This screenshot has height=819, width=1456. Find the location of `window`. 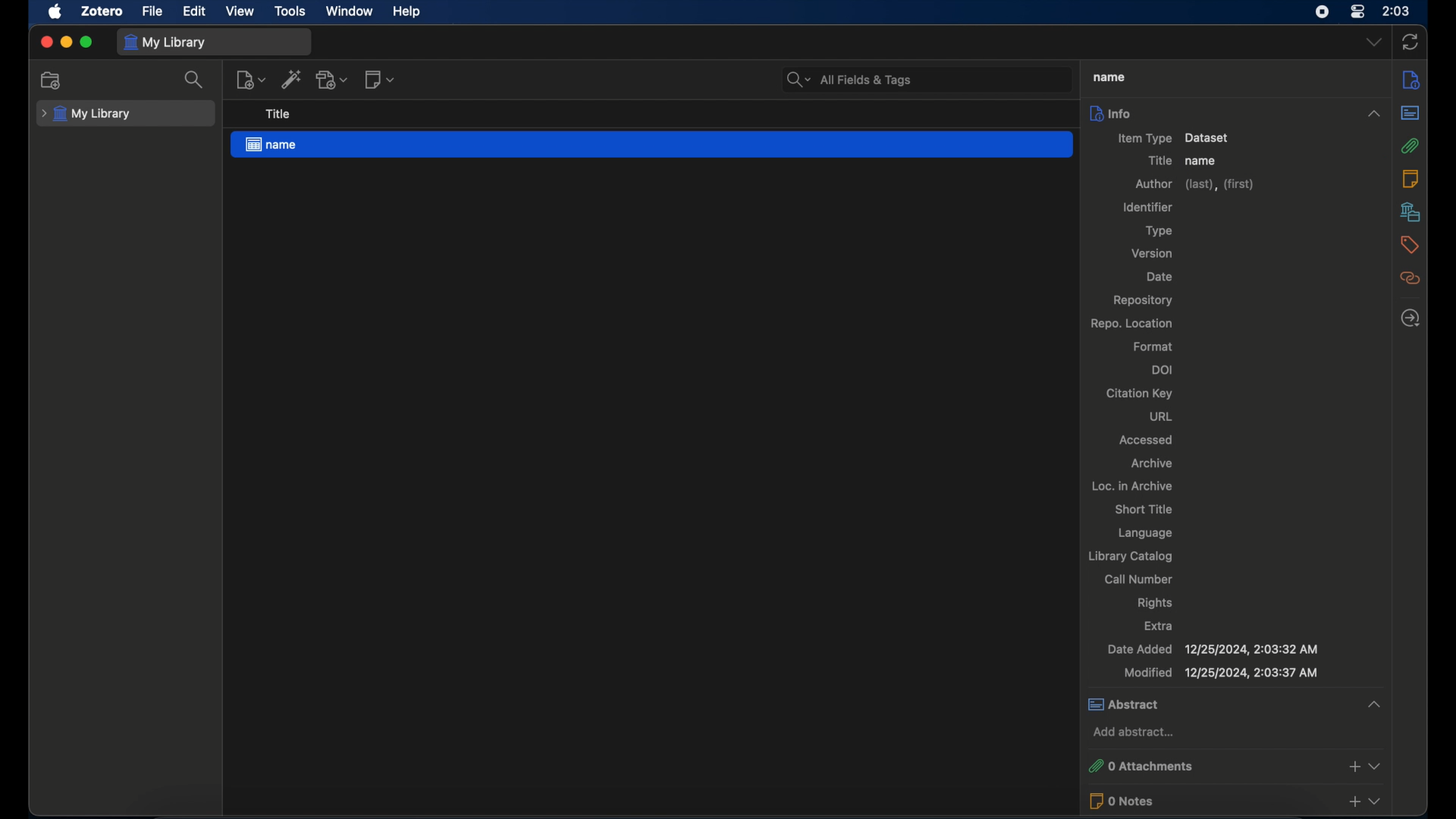

window is located at coordinates (350, 11).